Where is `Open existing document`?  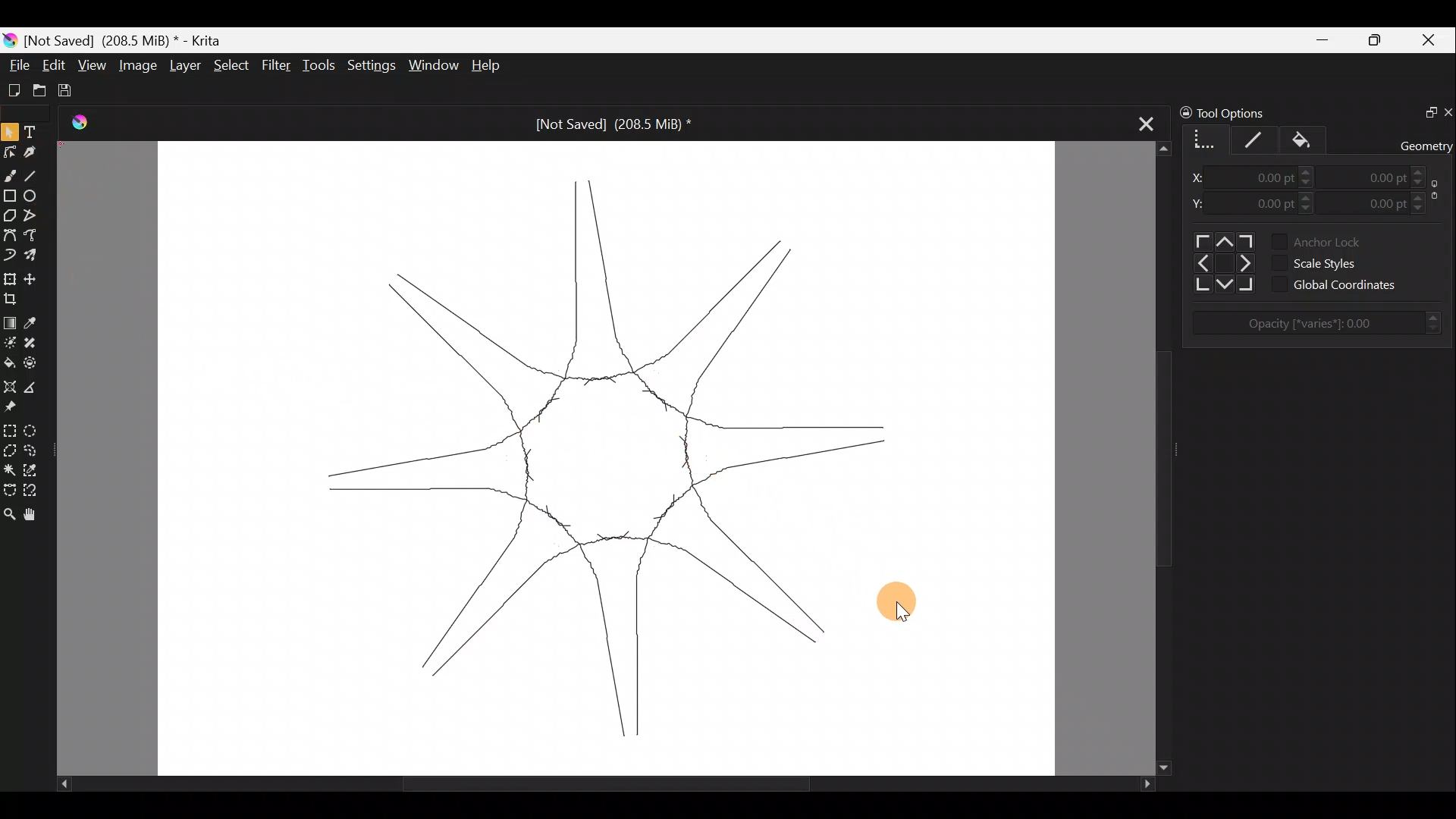 Open existing document is located at coordinates (40, 89).